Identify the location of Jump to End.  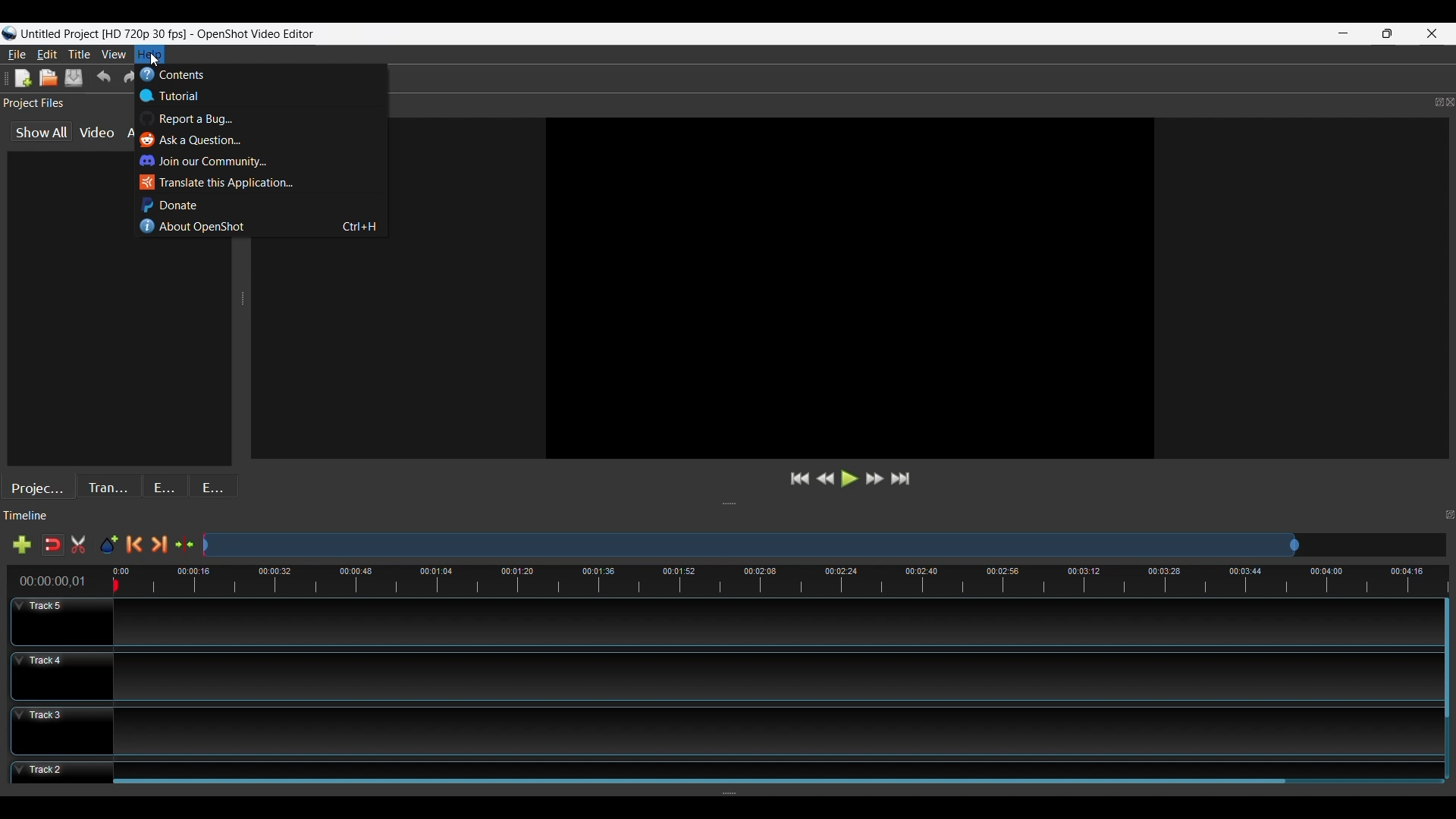
(902, 481).